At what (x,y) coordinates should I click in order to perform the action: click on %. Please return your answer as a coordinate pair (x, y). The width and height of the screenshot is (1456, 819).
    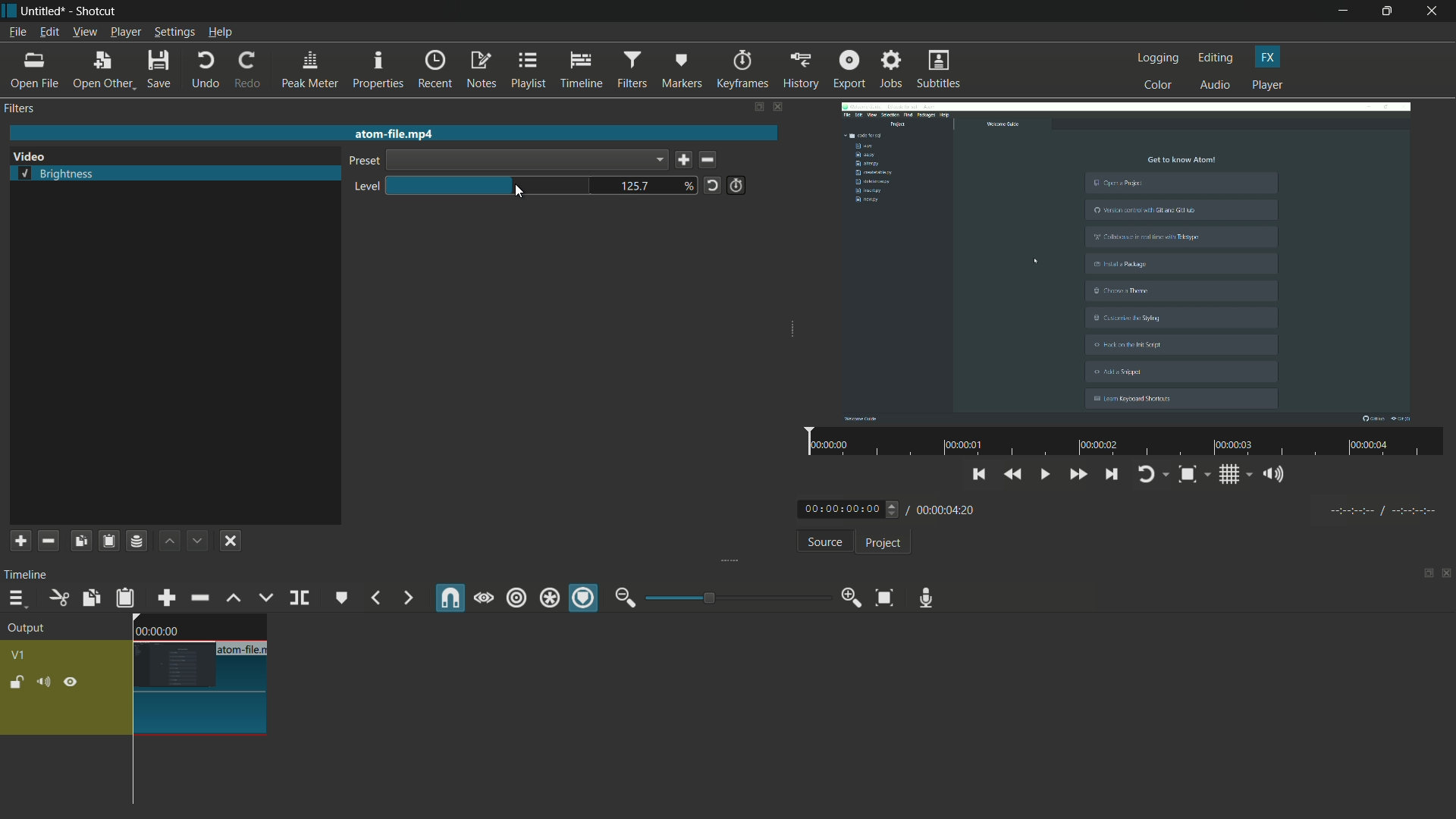
    Looking at the image, I should click on (689, 185).